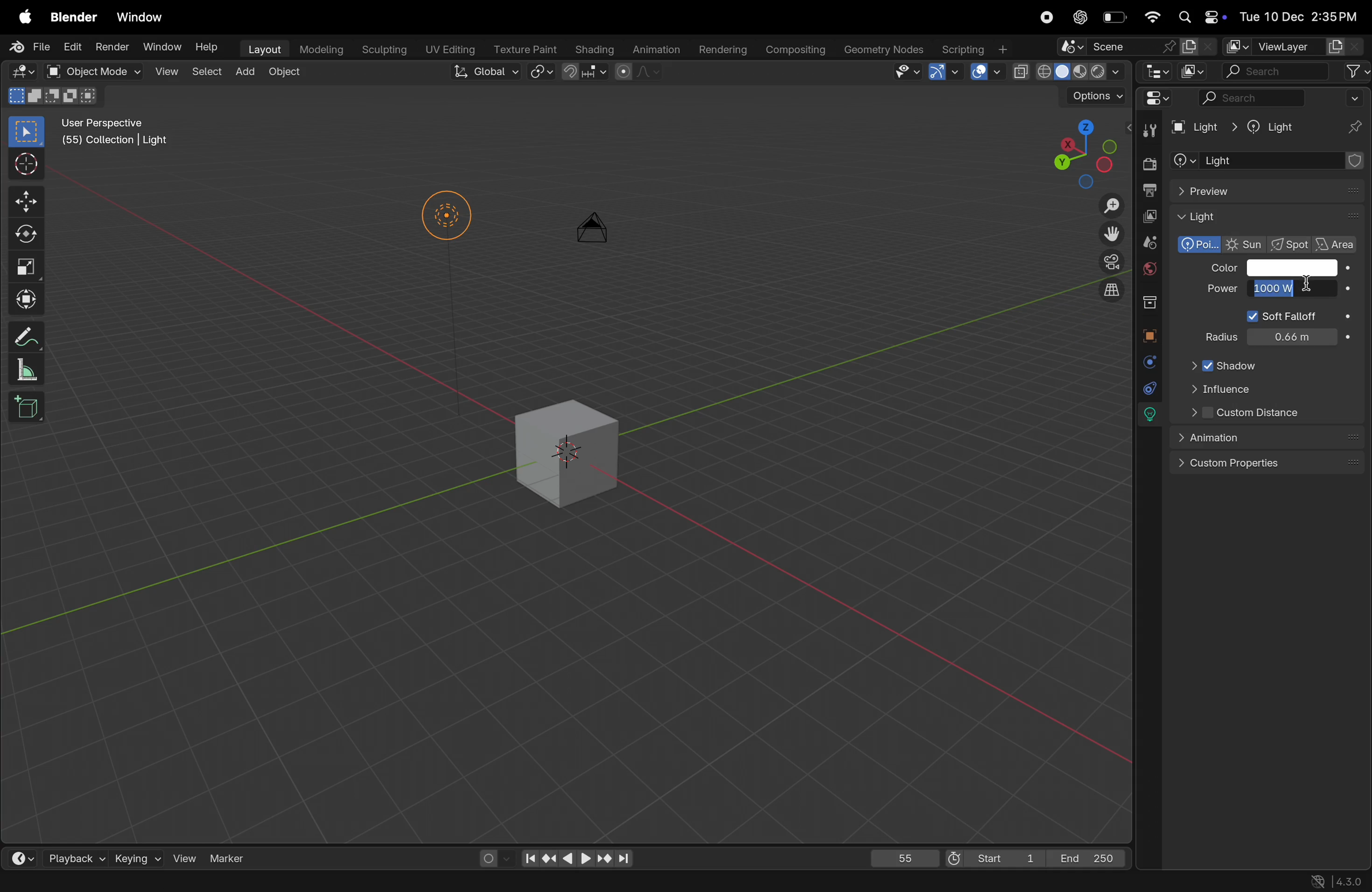  Describe the element at coordinates (1246, 245) in the screenshot. I see `Sun` at that location.